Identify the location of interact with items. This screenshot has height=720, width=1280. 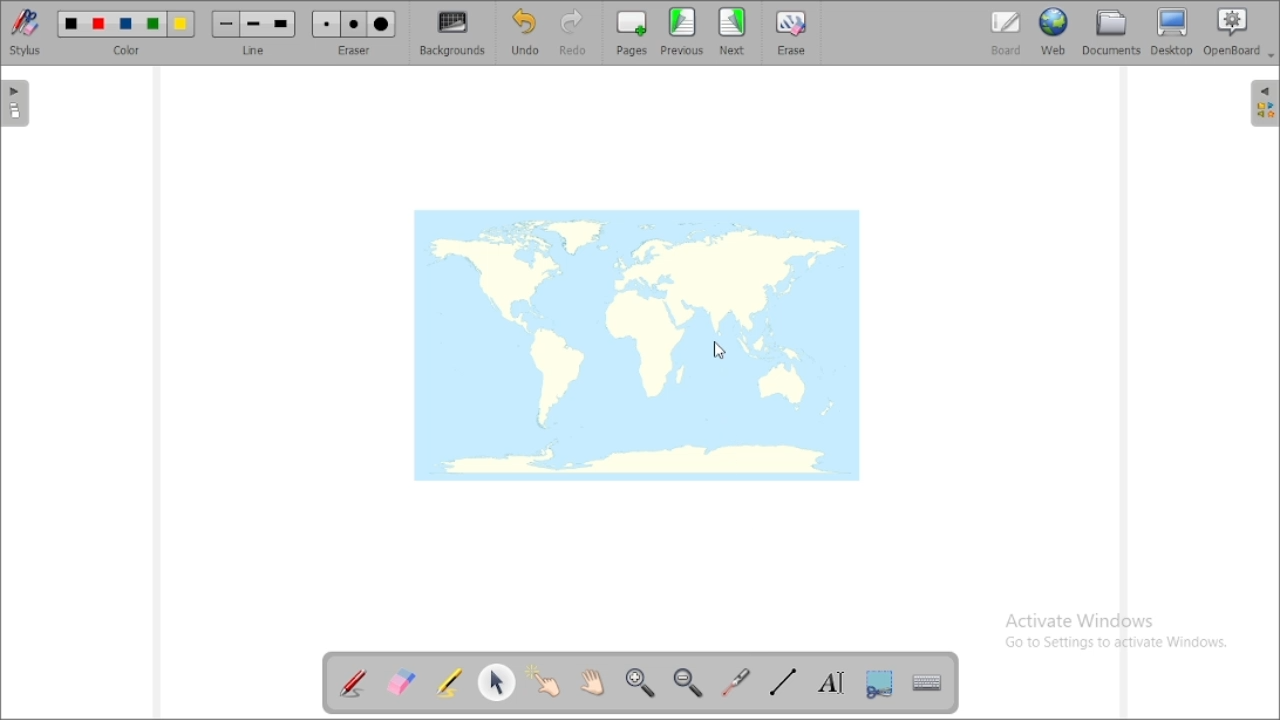
(543, 680).